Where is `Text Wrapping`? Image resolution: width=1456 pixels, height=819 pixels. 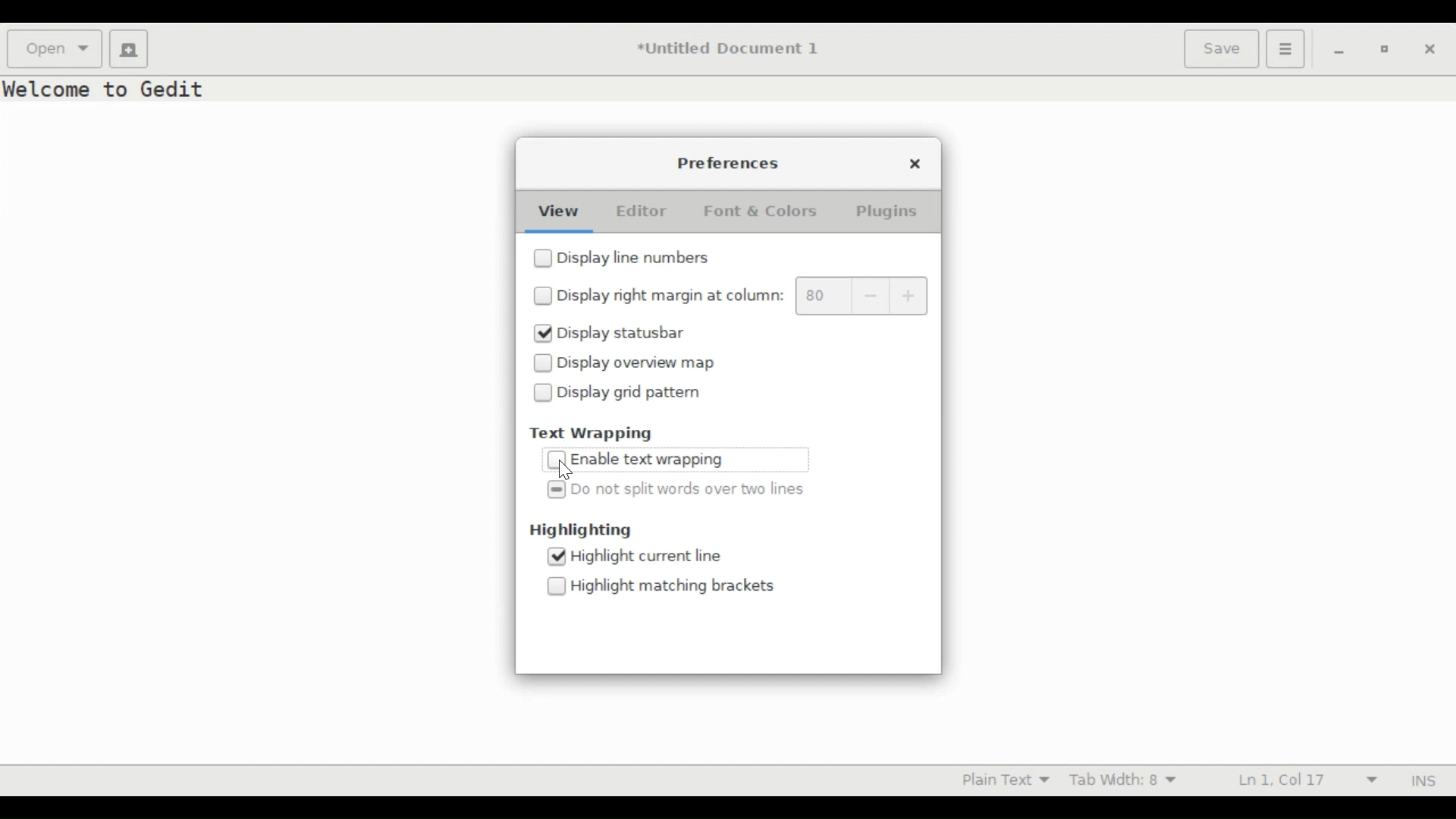
Text Wrapping is located at coordinates (598, 432).